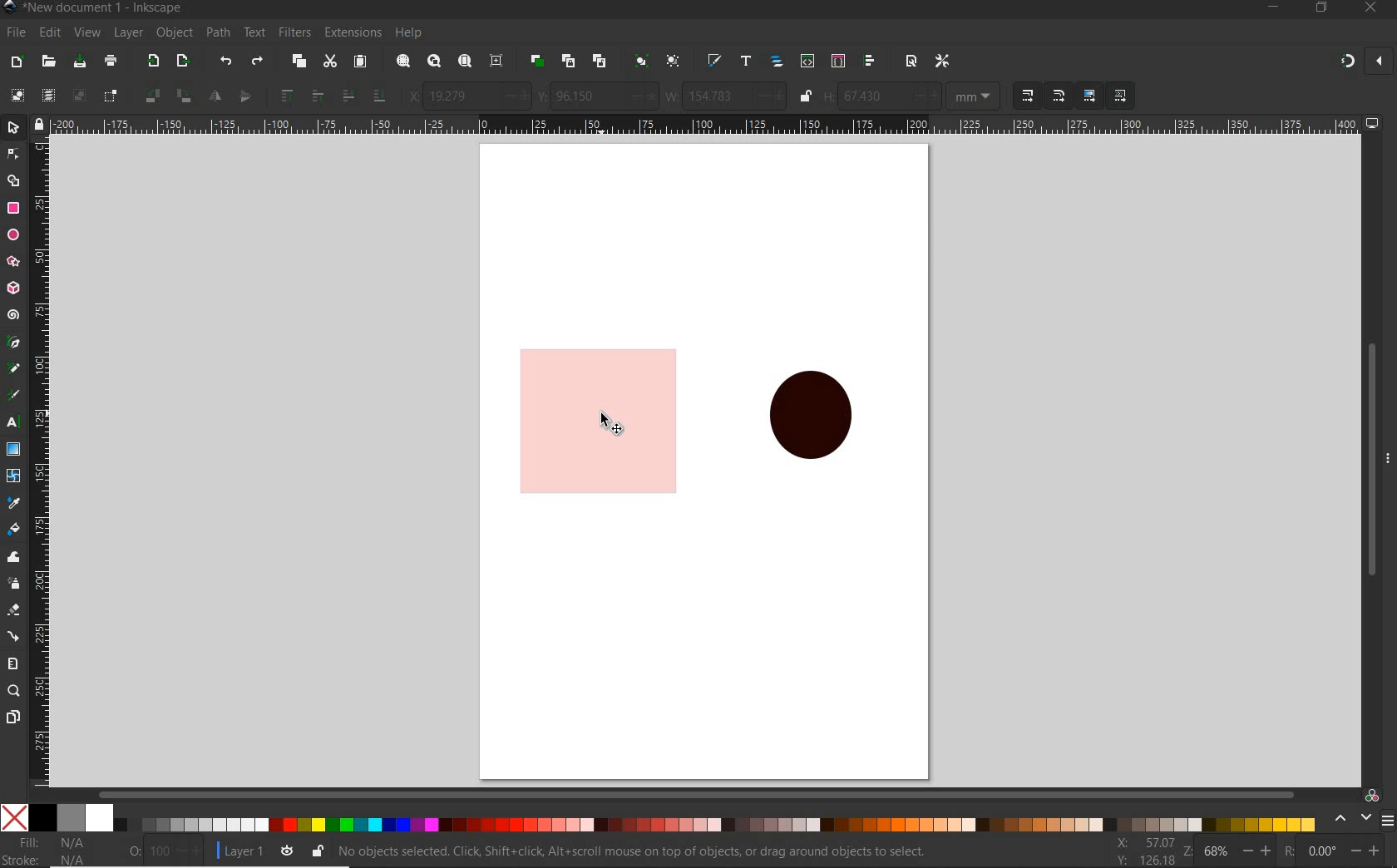  I want to click on node tool, so click(12, 152).